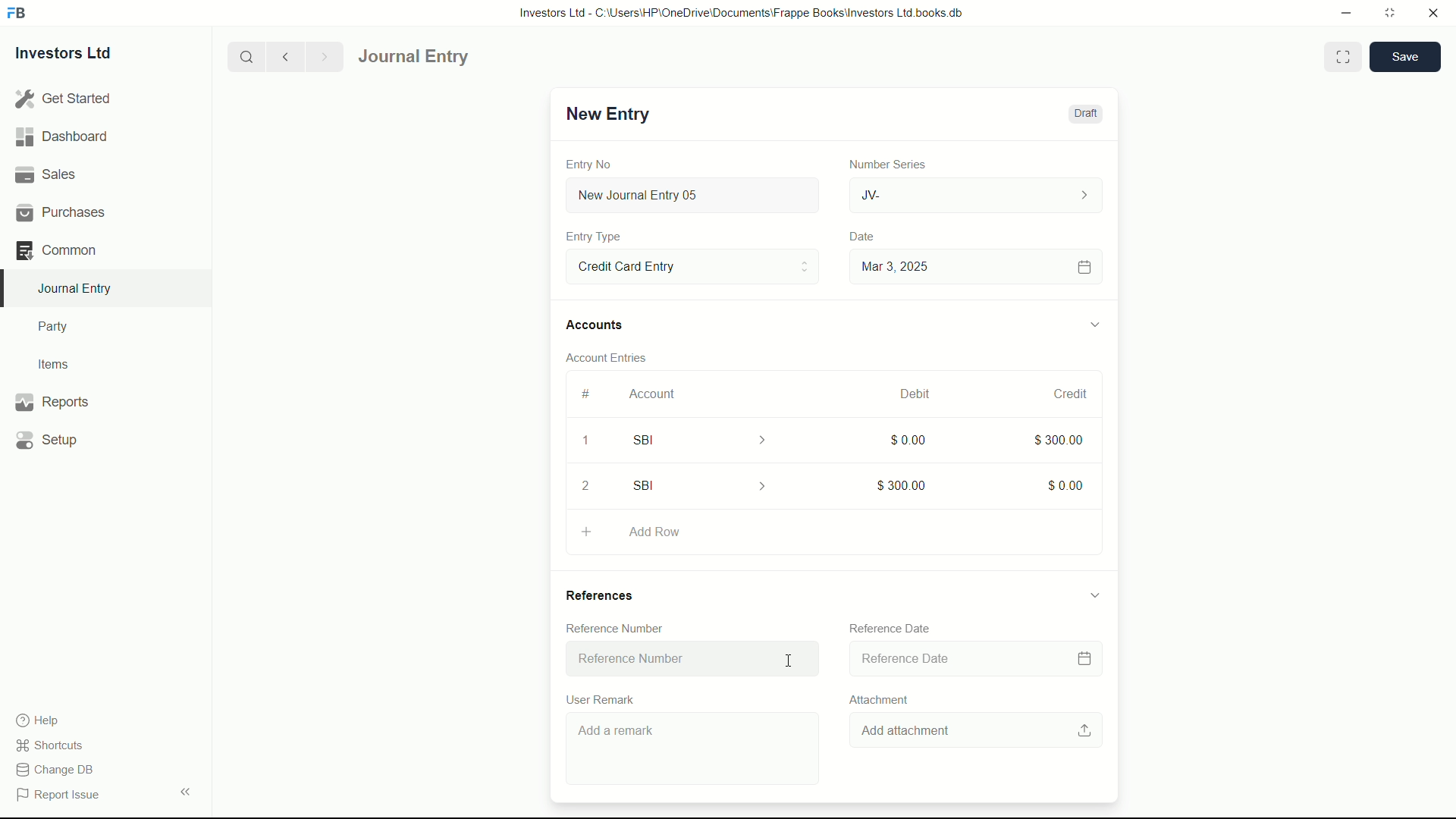  Describe the element at coordinates (1342, 11) in the screenshot. I see `minimize` at that location.